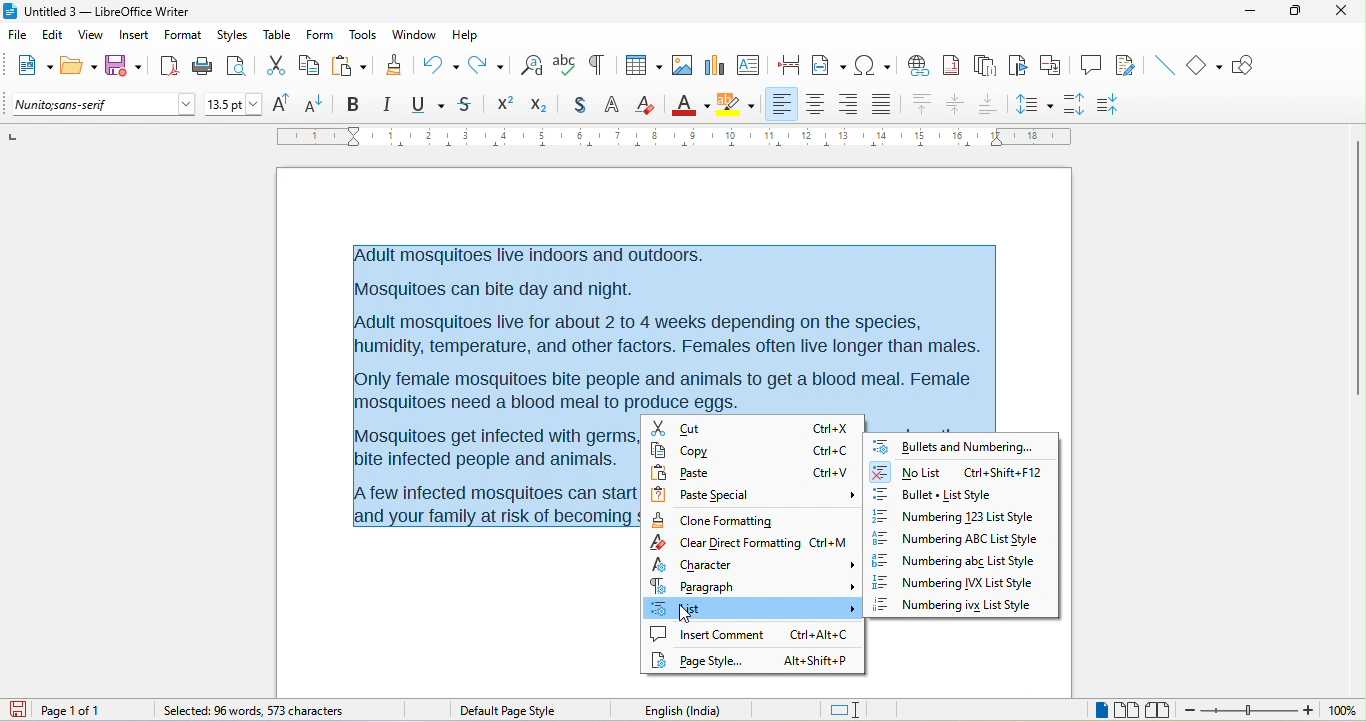 The image size is (1366, 722). Describe the element at coordinates (755, 495) in the screenshot. I see `paste special` at that location.